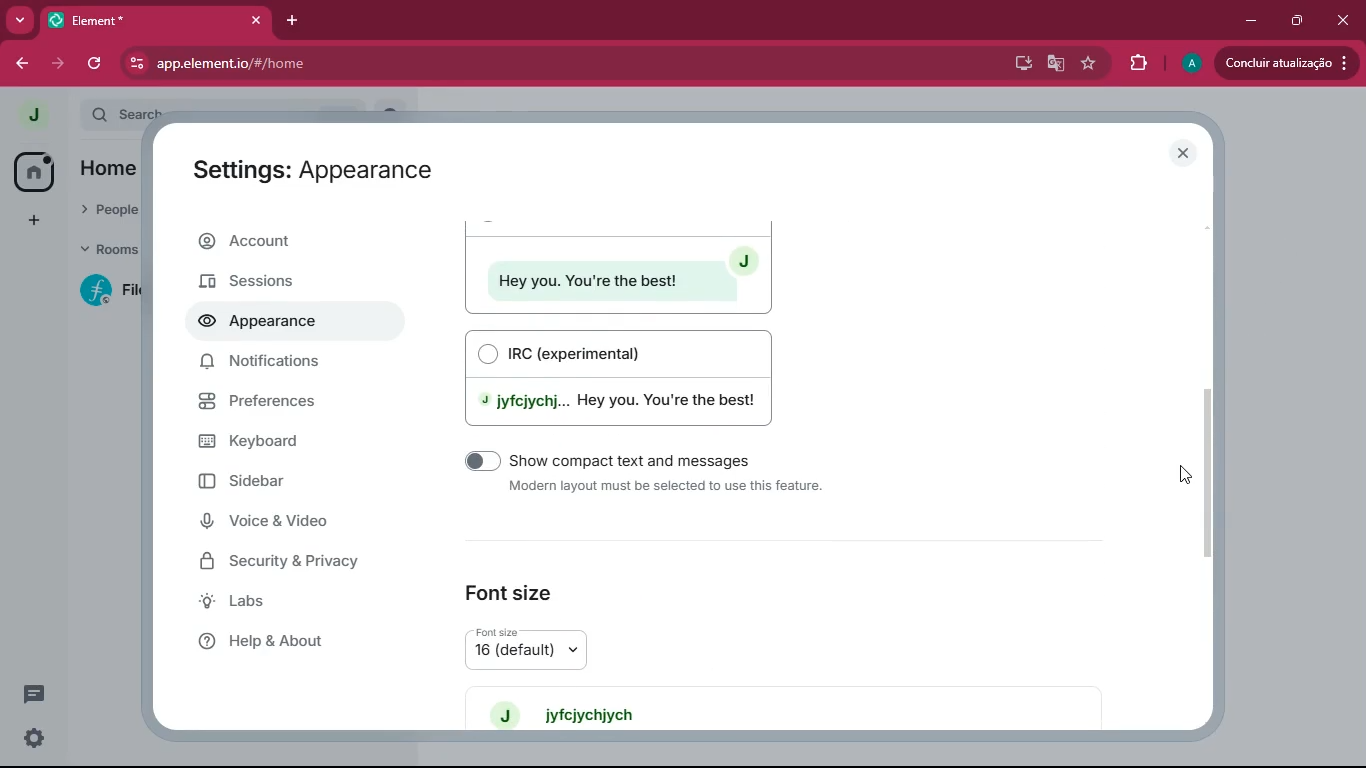 This screenshot has height=768, width=1366. Describe the element at coordinates (93, 64) in the screenshot. I see `refresh` at that location.